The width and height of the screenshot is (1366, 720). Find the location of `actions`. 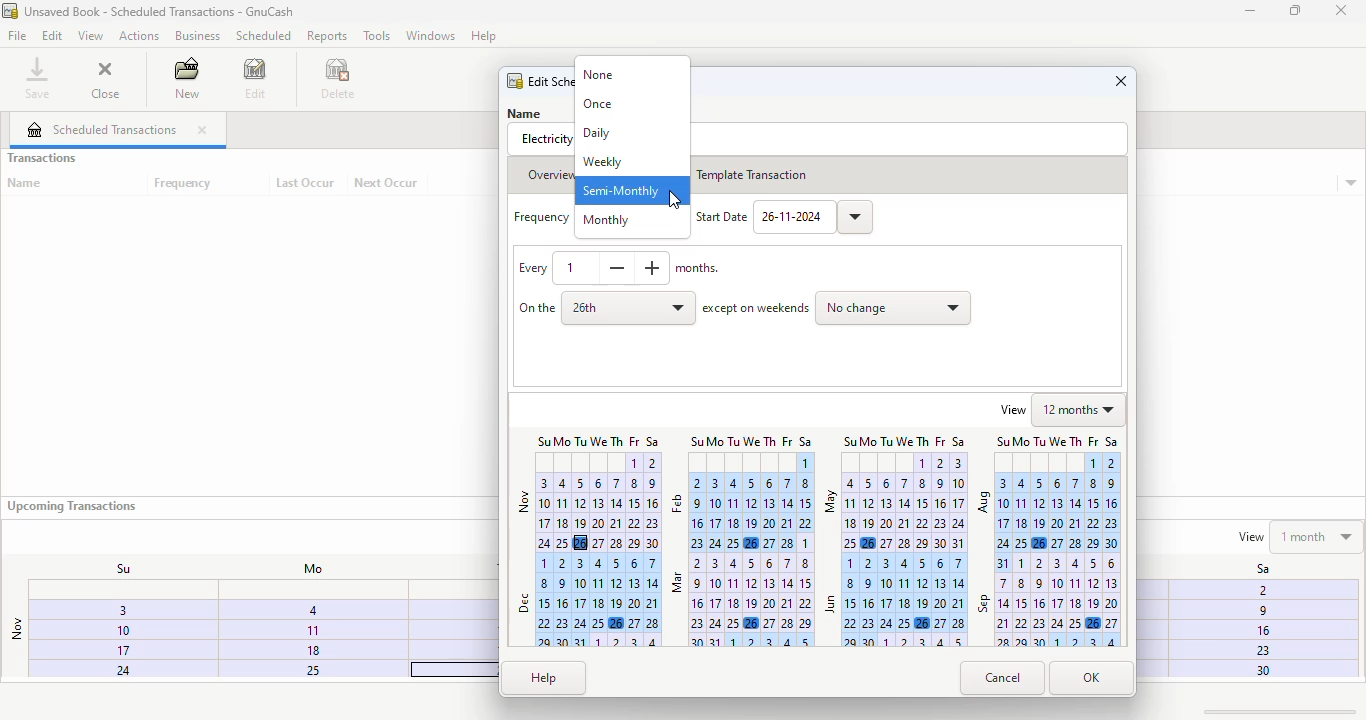

actions is located at coordinates (138, 36).